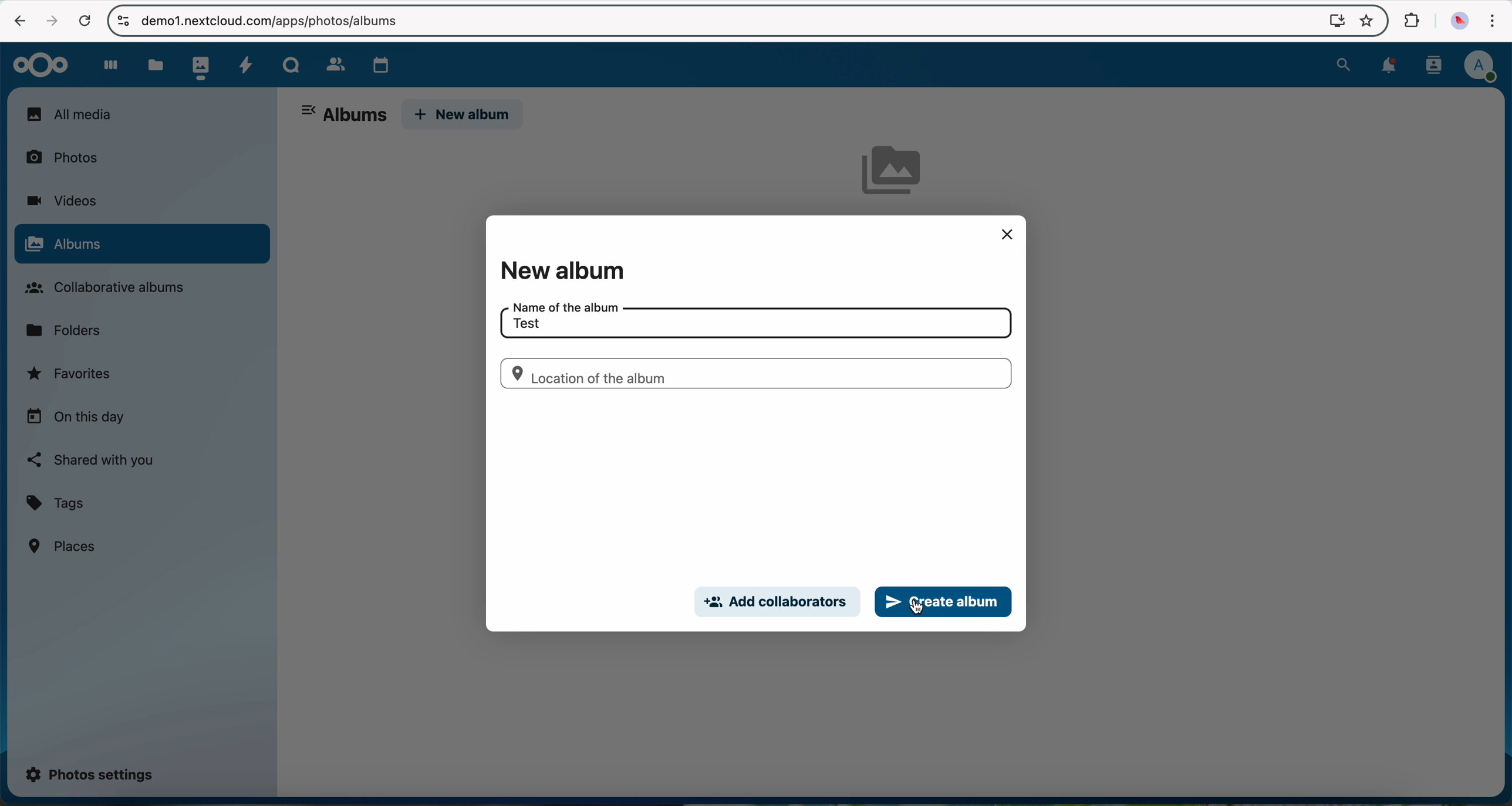 The height and width of the screenshot is (806, 1512). What do you see at coordinates (92, 460) in the screenshot?
I see `shared with you` at bounding box center [92, 460].